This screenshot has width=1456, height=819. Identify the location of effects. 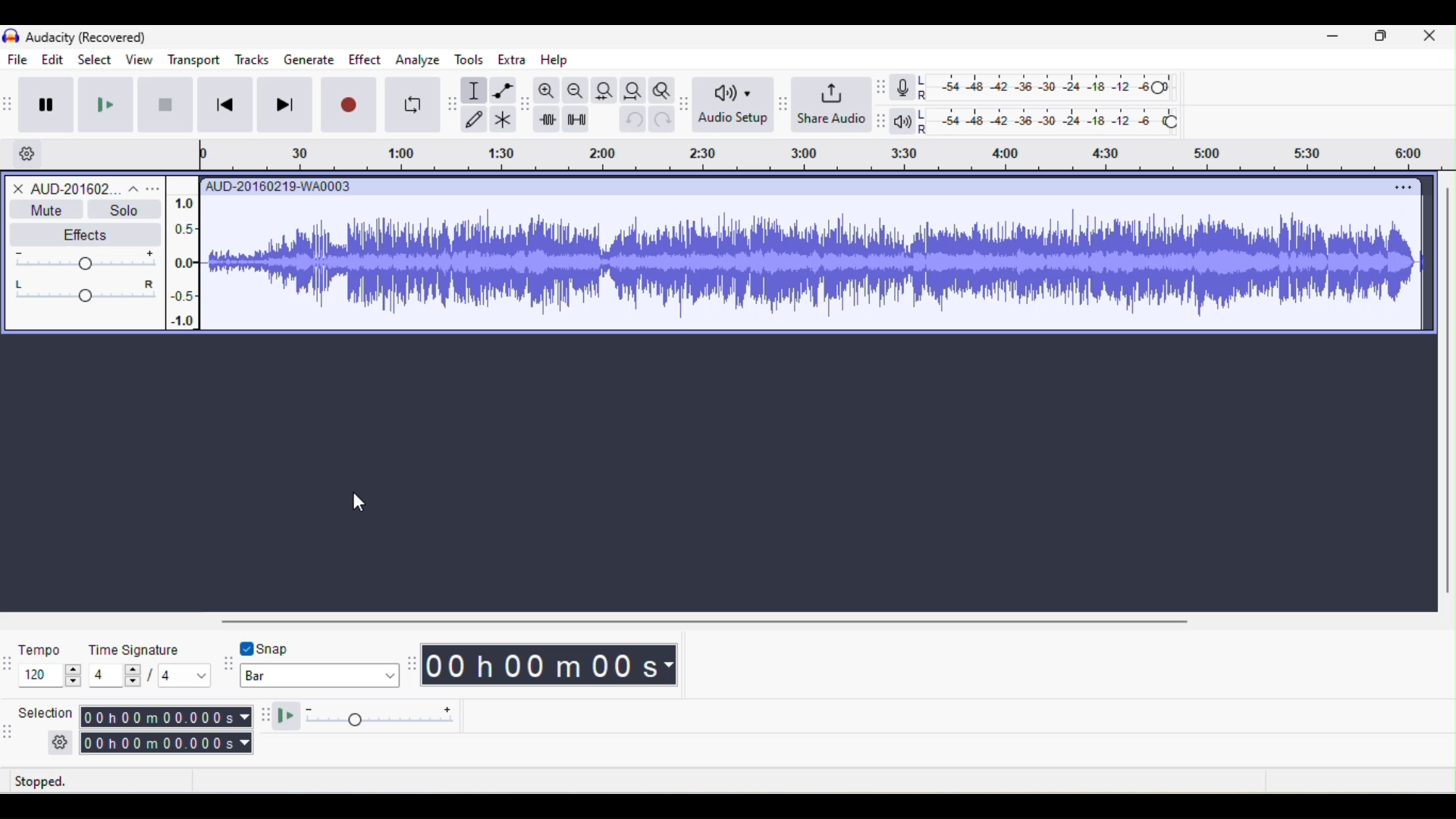
(88, 231).